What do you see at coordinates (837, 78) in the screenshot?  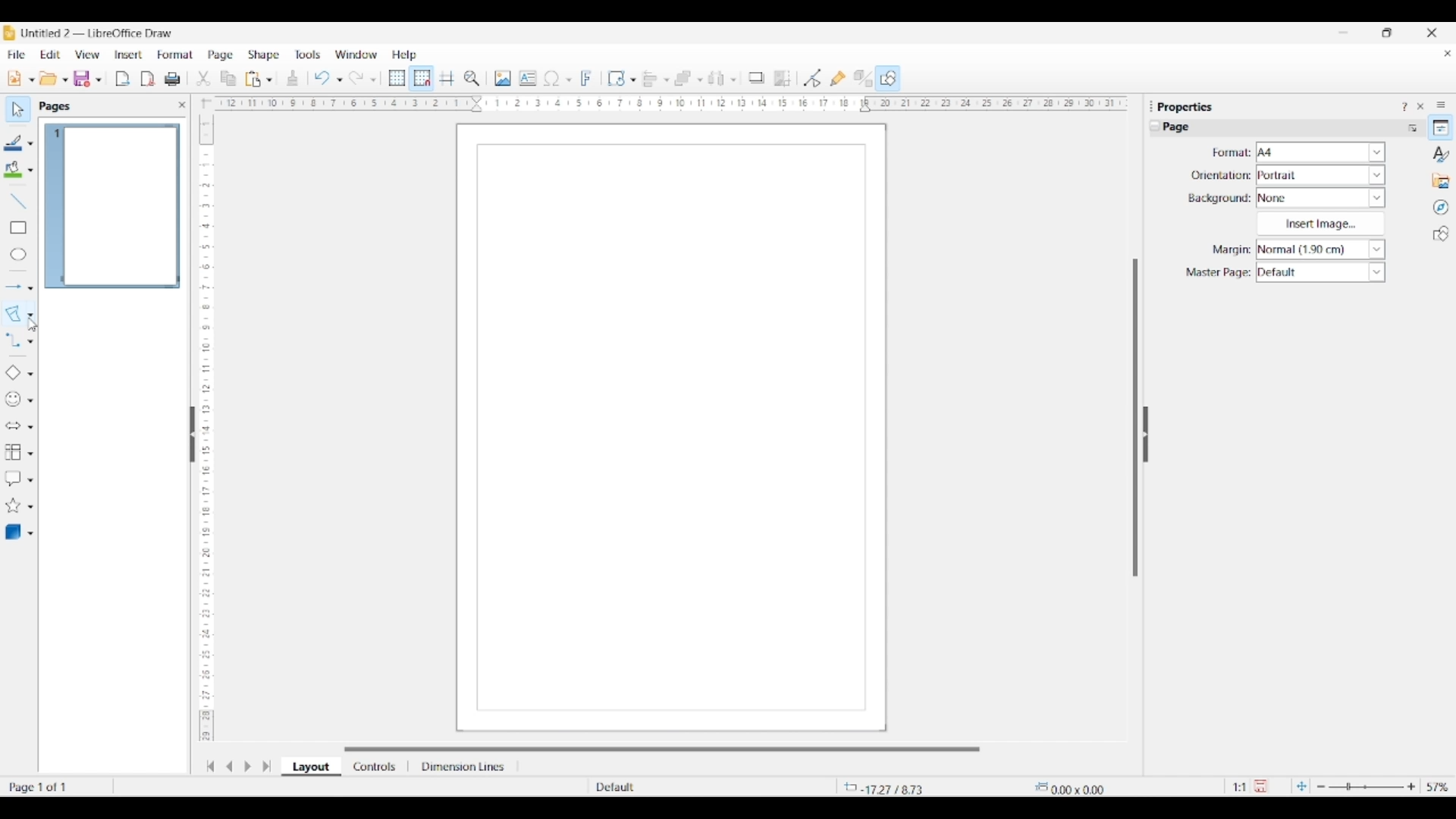 I see `Show gluepoint options` at bounding box center [837, 78].